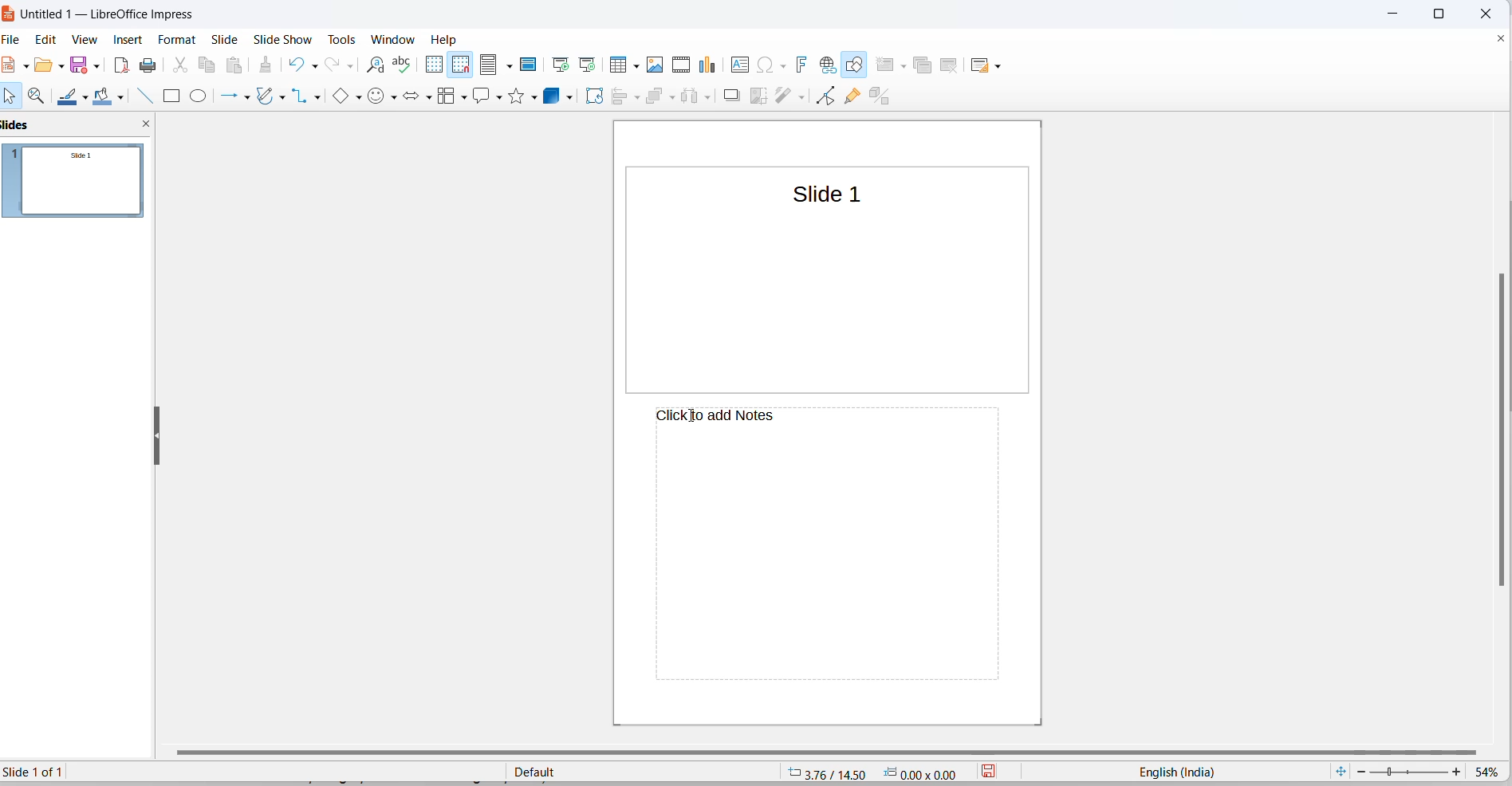 Image resolution: width=1512 pixels, height=786 pixels. I want to click on new slide, so click(884, 64).